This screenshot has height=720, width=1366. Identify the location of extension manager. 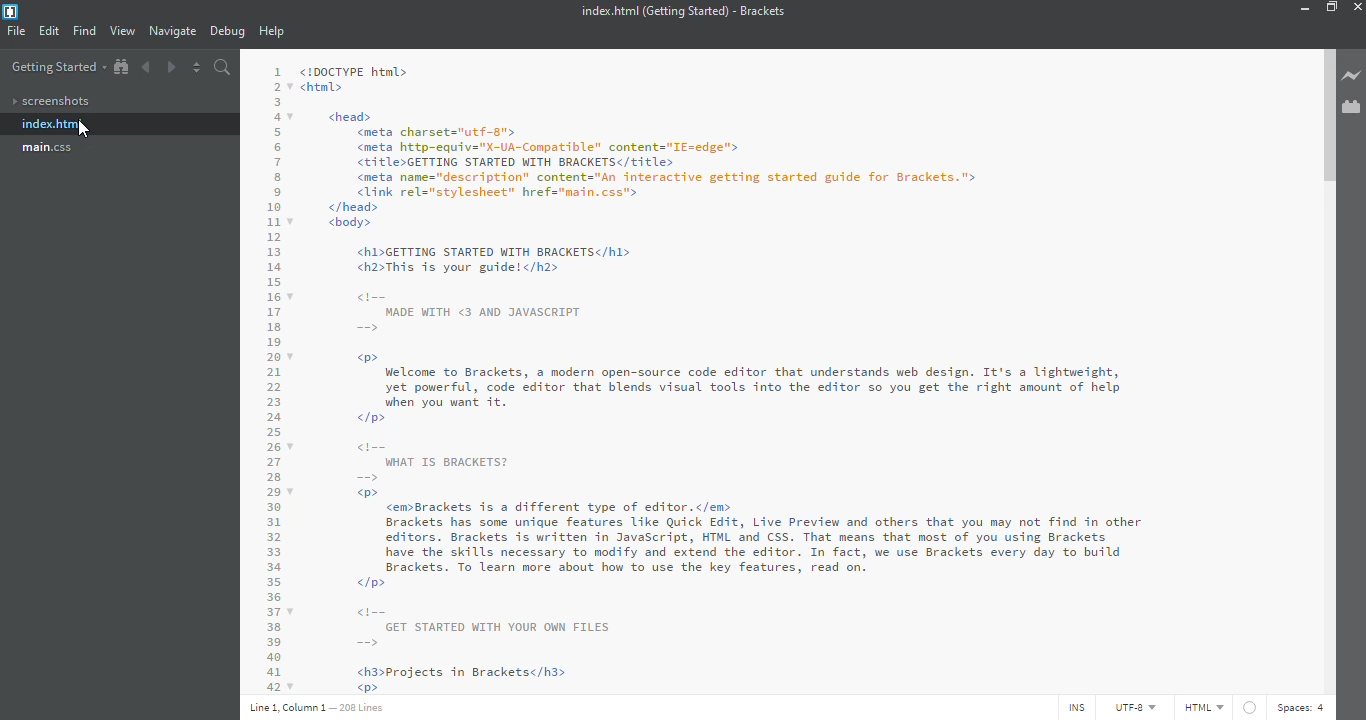
(1352, 107).